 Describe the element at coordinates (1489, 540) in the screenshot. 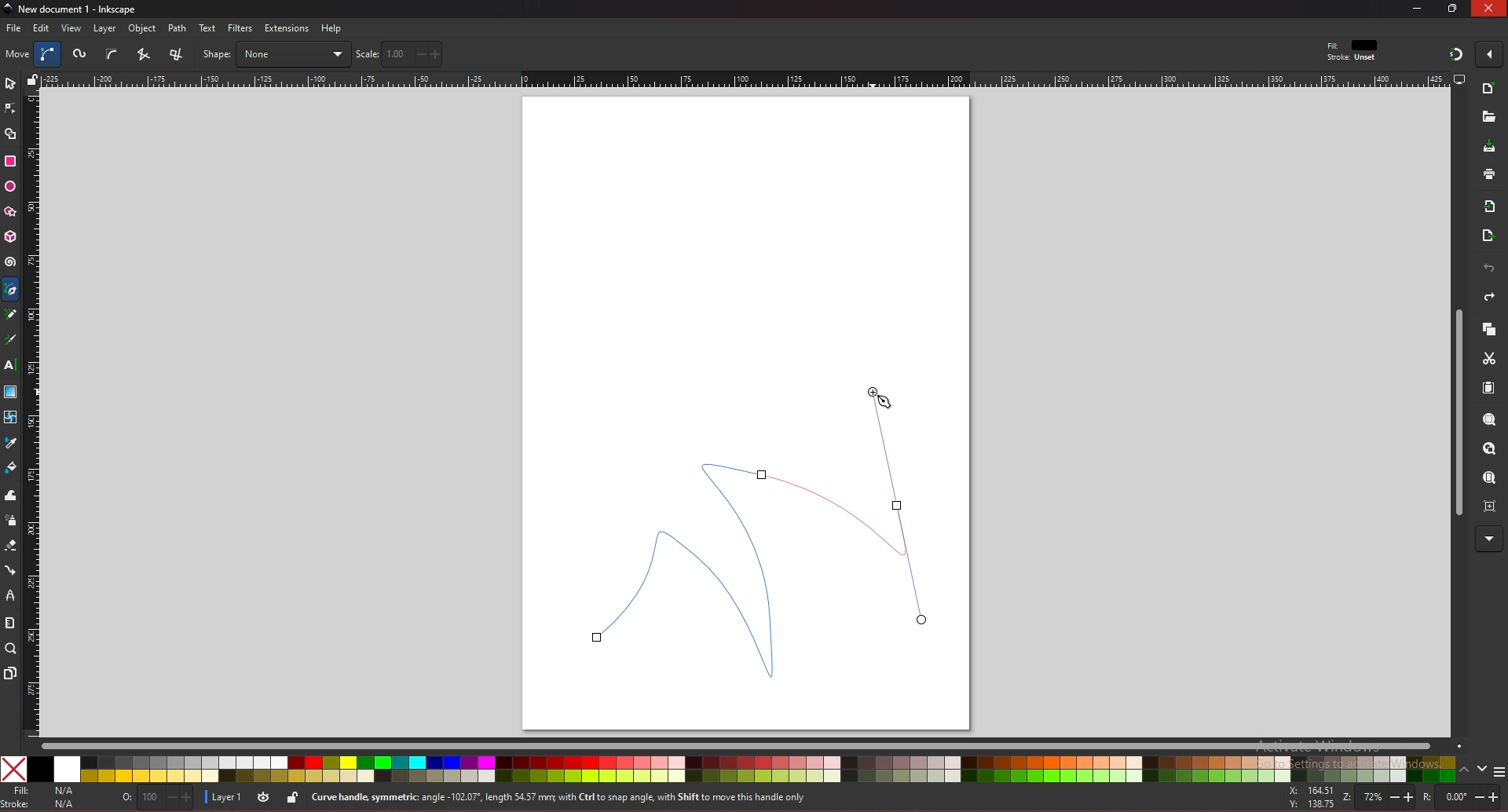

I see `more` at that location.